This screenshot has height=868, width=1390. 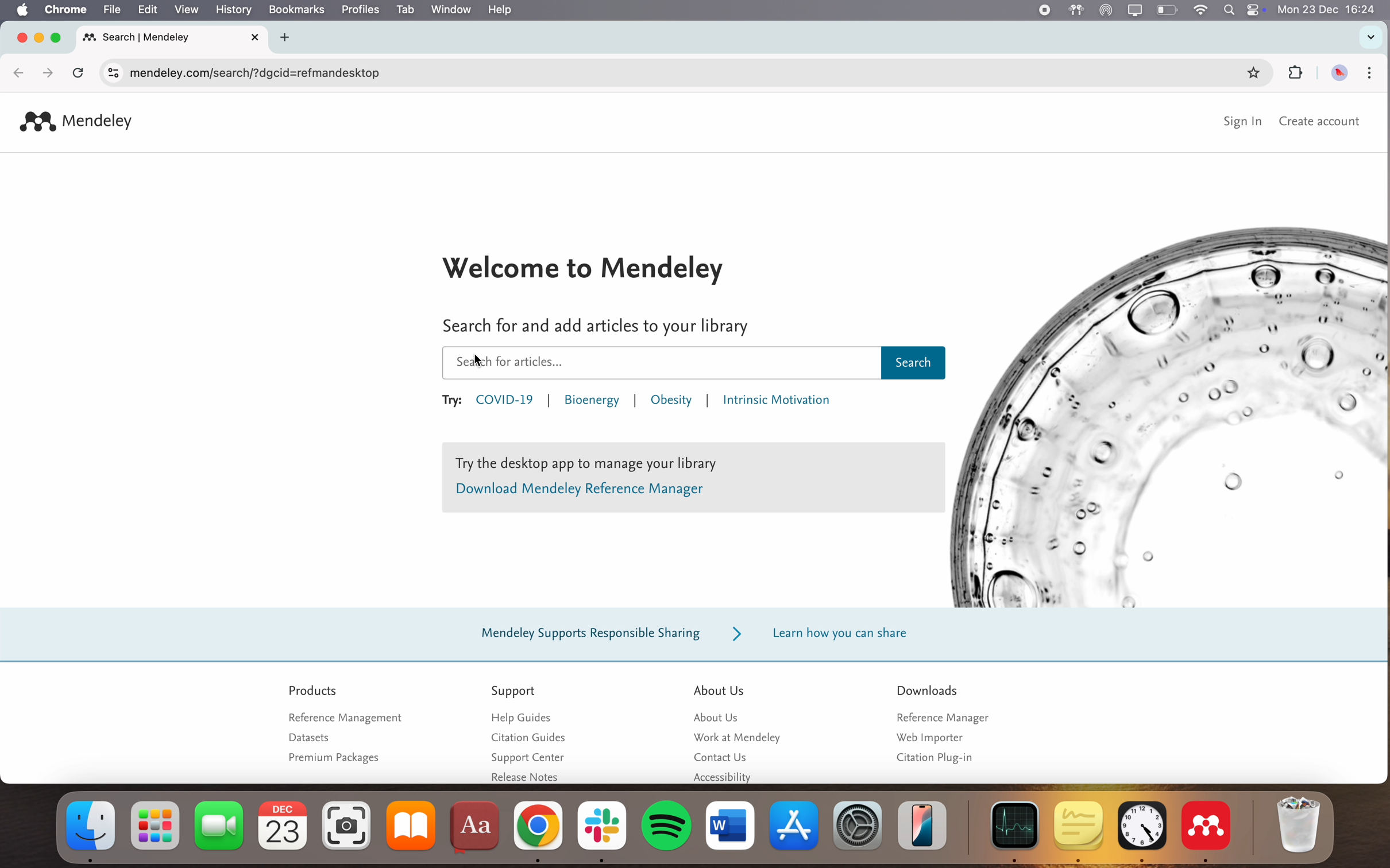 What do you see at coordinates (1208, 830) in the screenshot?
I see `Mendeley` at bounding box center [1208, 830].